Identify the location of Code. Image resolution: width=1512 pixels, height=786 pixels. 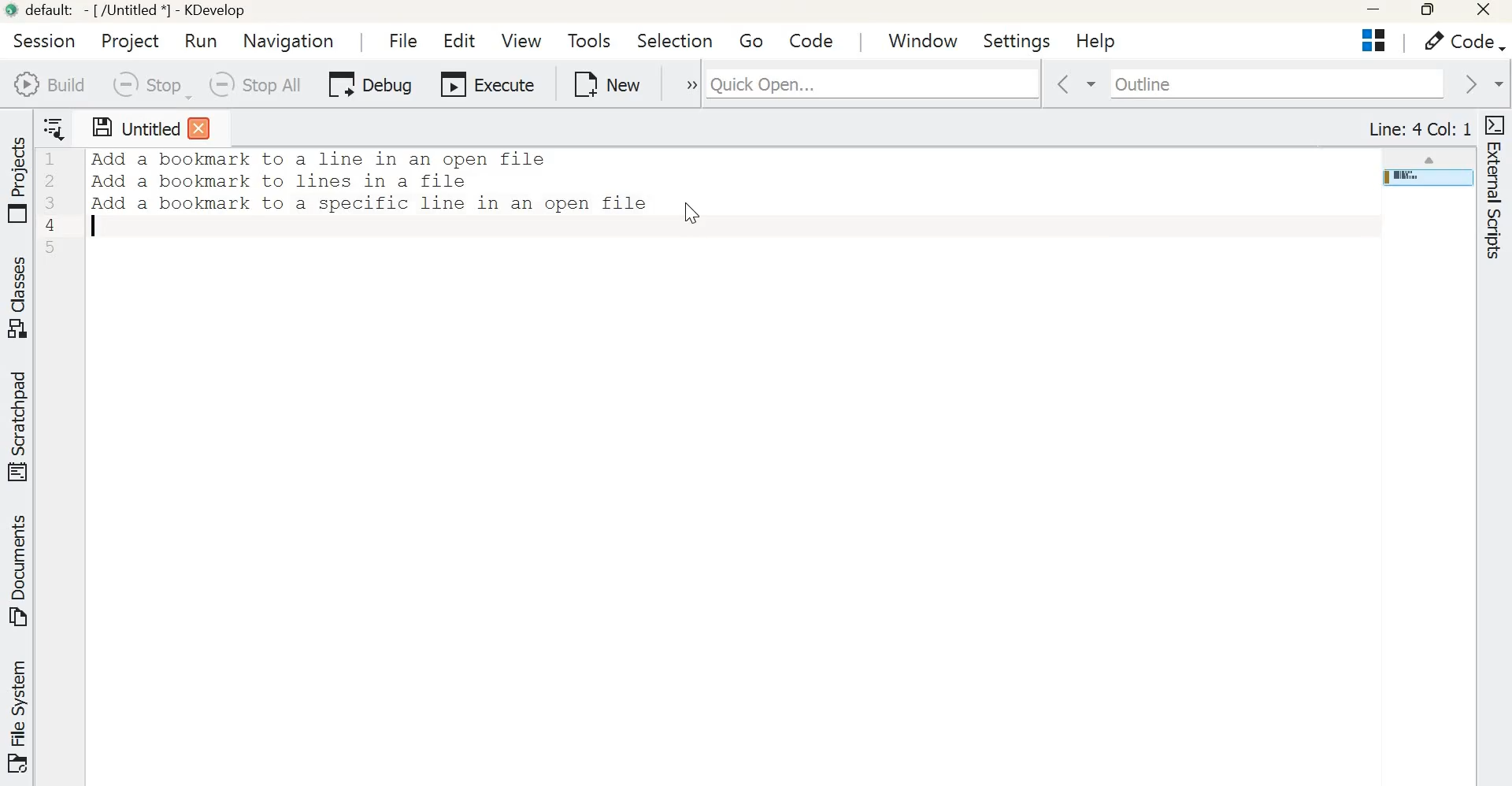
(1463, 42).